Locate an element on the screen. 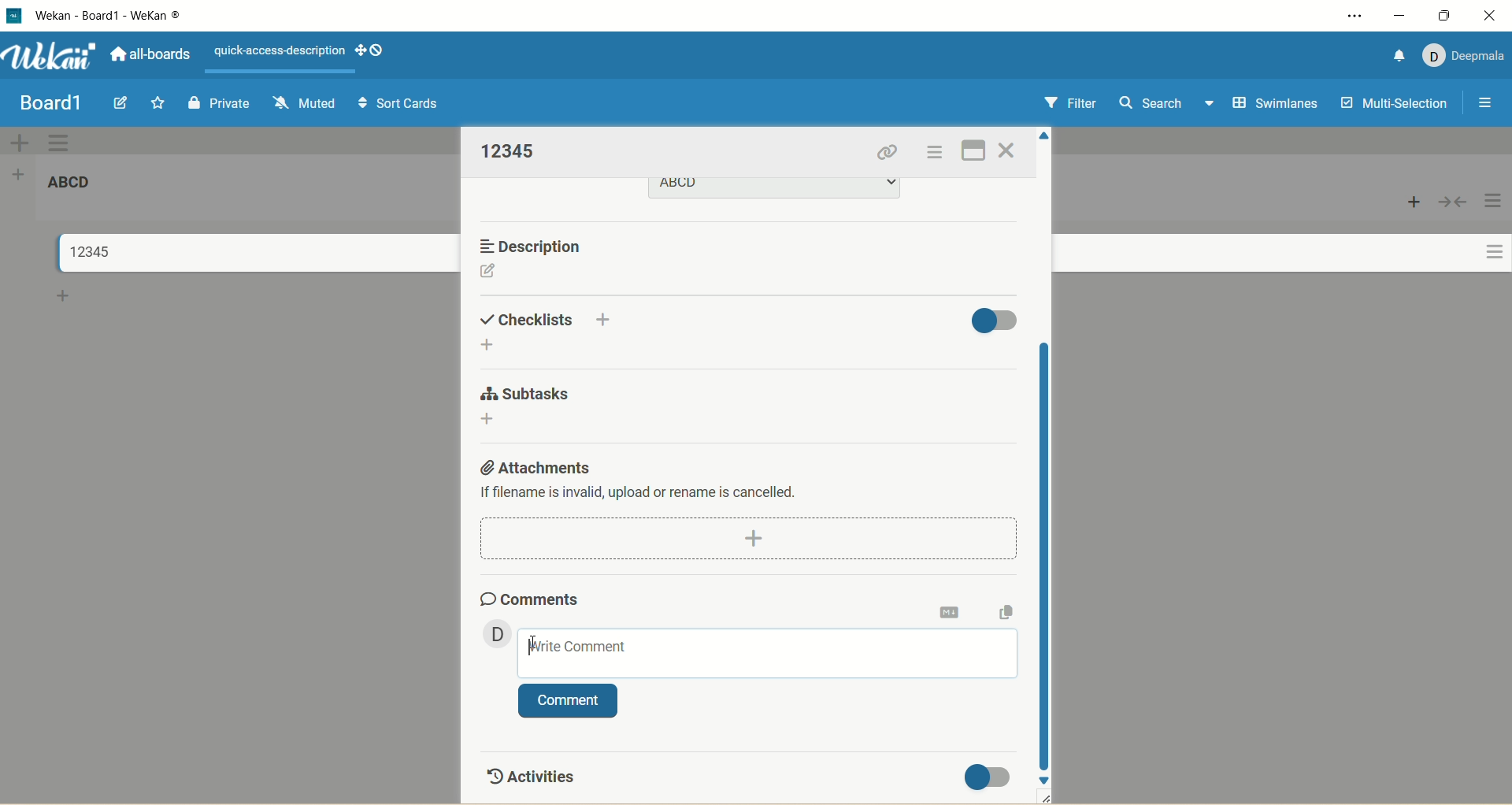 The height and width of the screenshot is (805, 1512). search is located at coordinates (1166, 105).